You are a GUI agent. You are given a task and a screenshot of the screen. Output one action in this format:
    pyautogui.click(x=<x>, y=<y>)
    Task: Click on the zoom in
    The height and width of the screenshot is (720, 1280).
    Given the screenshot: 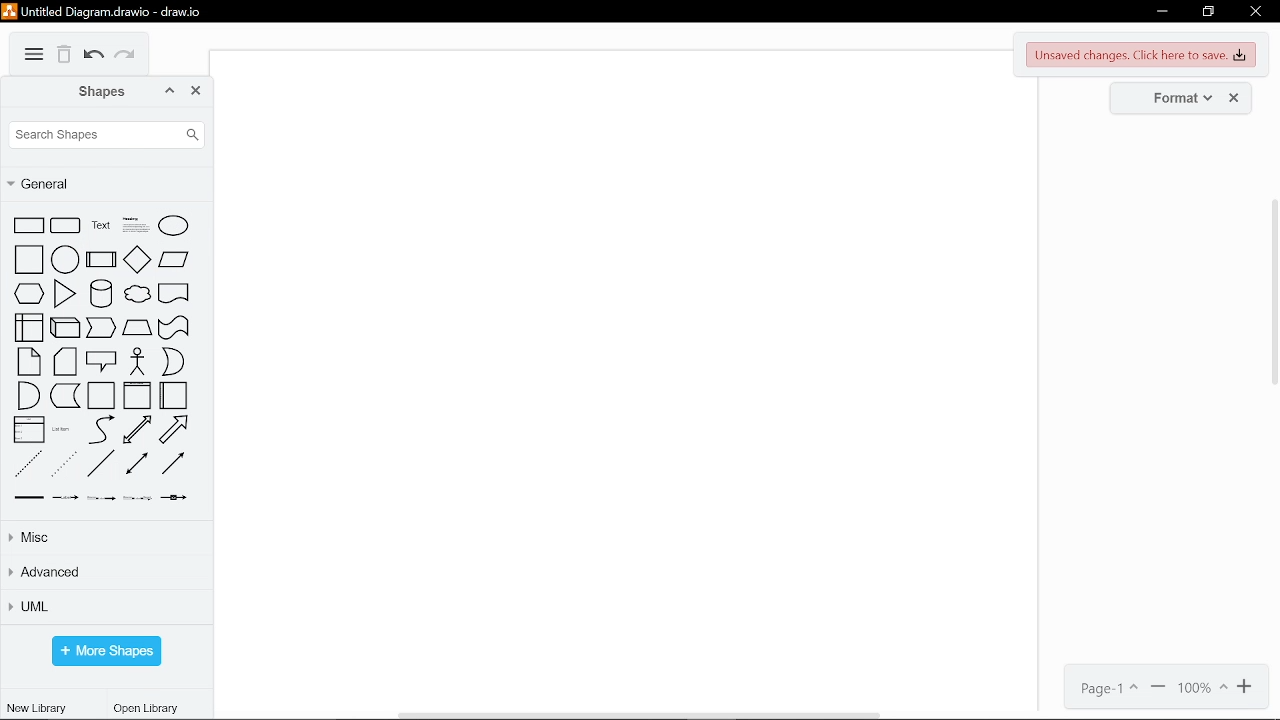 What is the action you would take?
    pyautogui.click(x=1246, y=687)
    